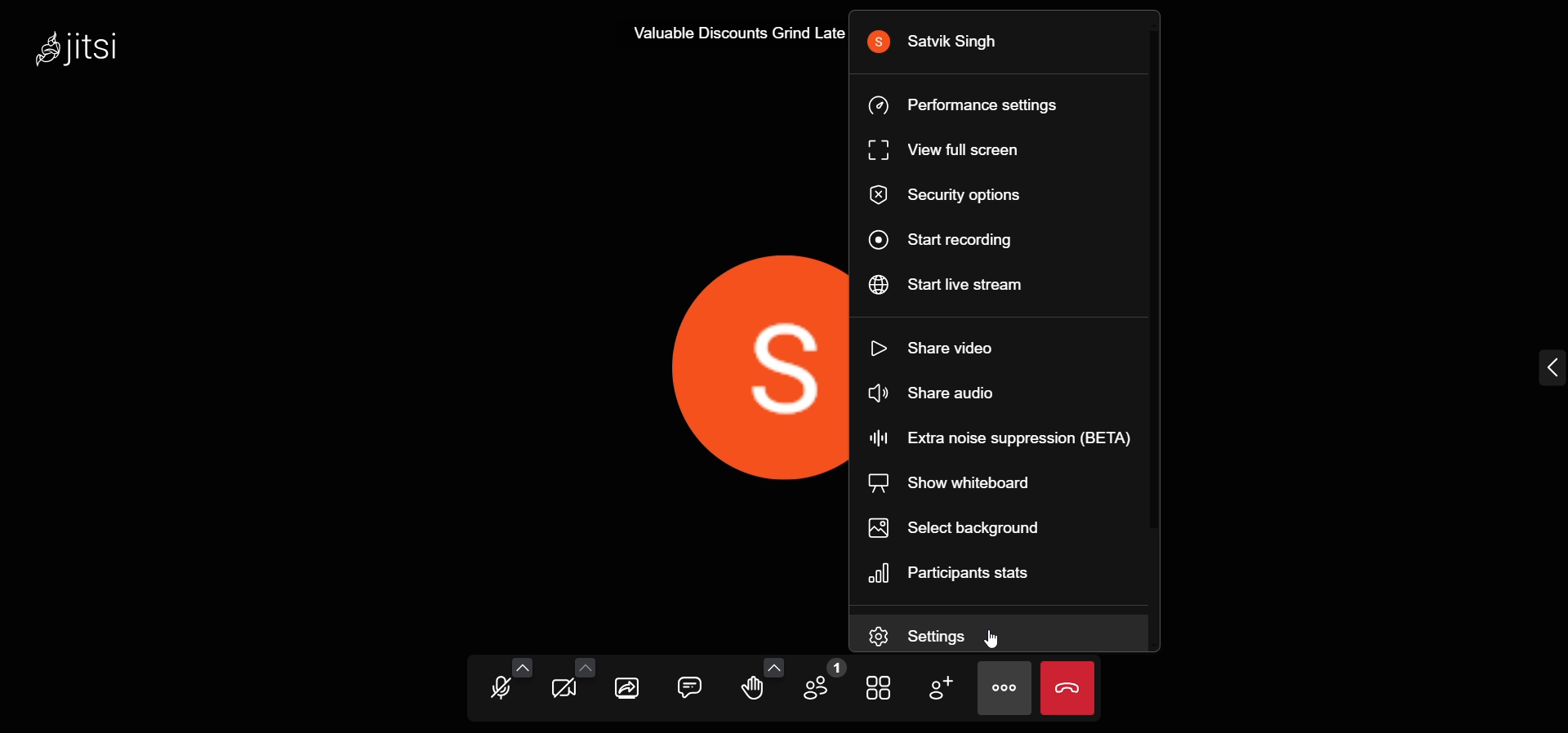 Image resolution: width=1568 pixels, height=733 pixels. What do you see at coordinates (1000, 438) in the screenshot?
I see `extra noise supression (BETA)` at bounding box center [1000, 438].